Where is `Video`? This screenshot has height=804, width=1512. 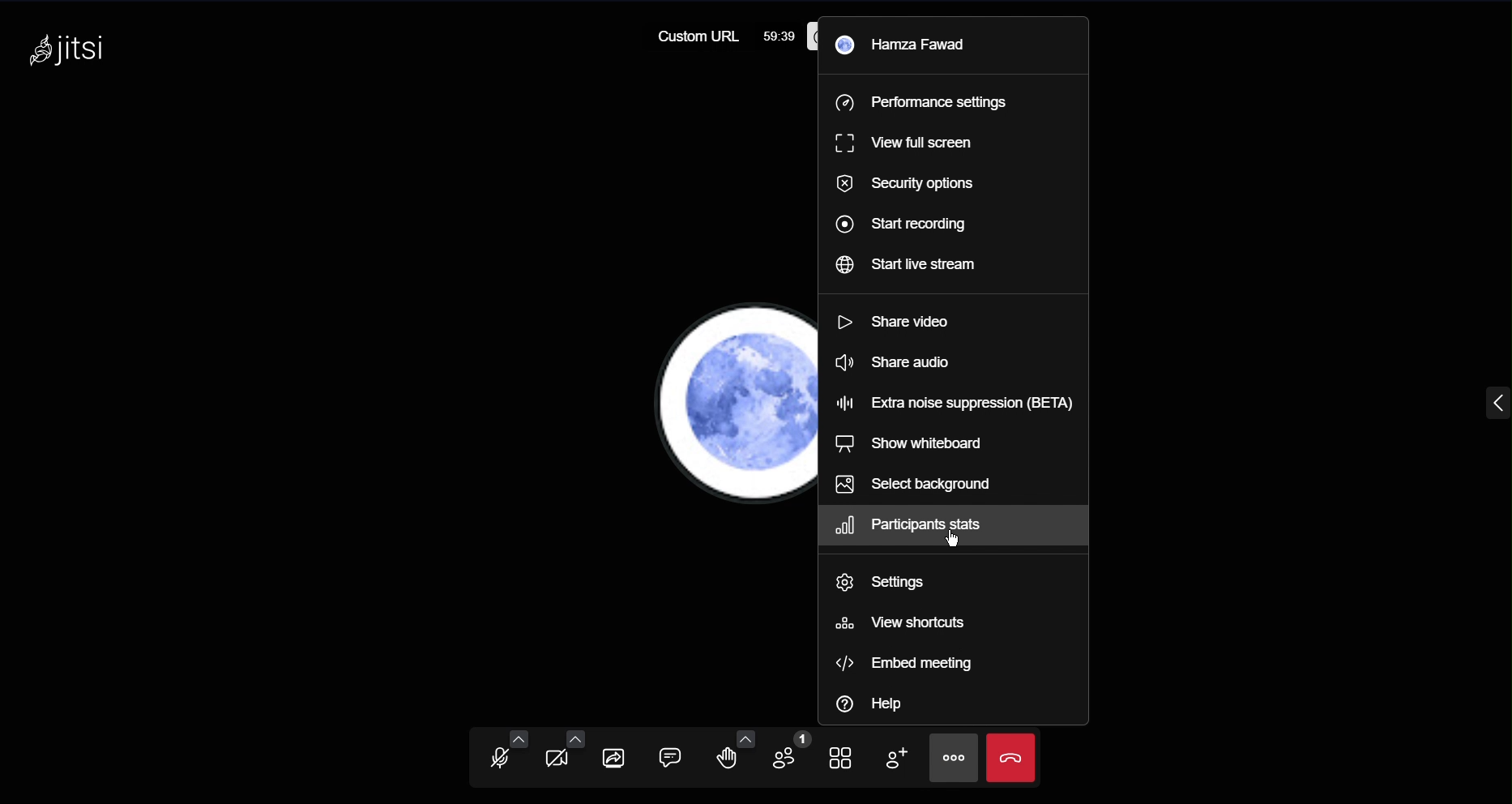
Video is located at coordinates (562, 755).